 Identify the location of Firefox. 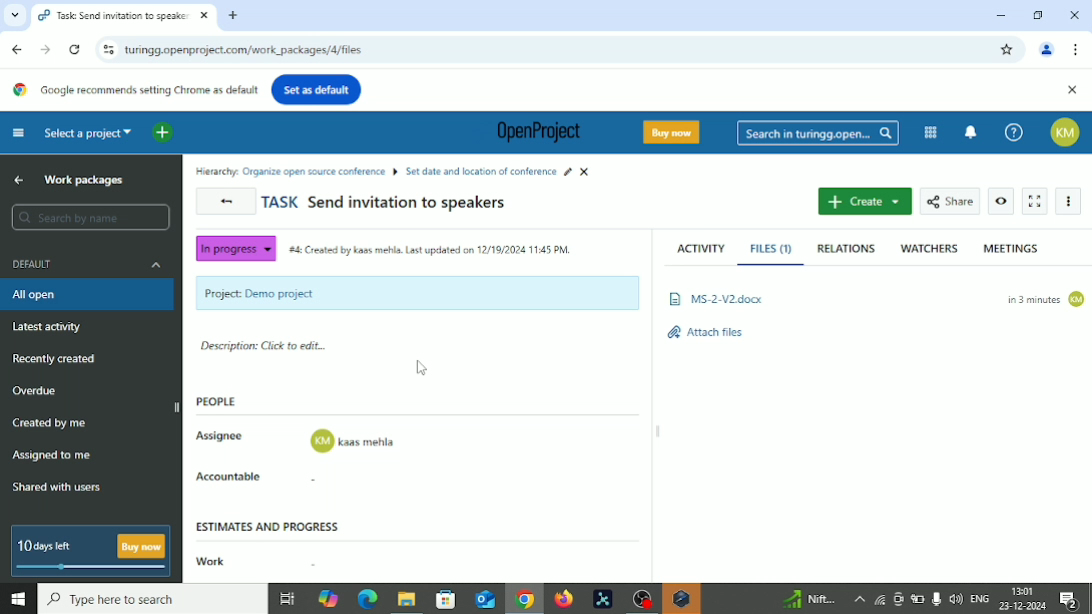
(563, 599).